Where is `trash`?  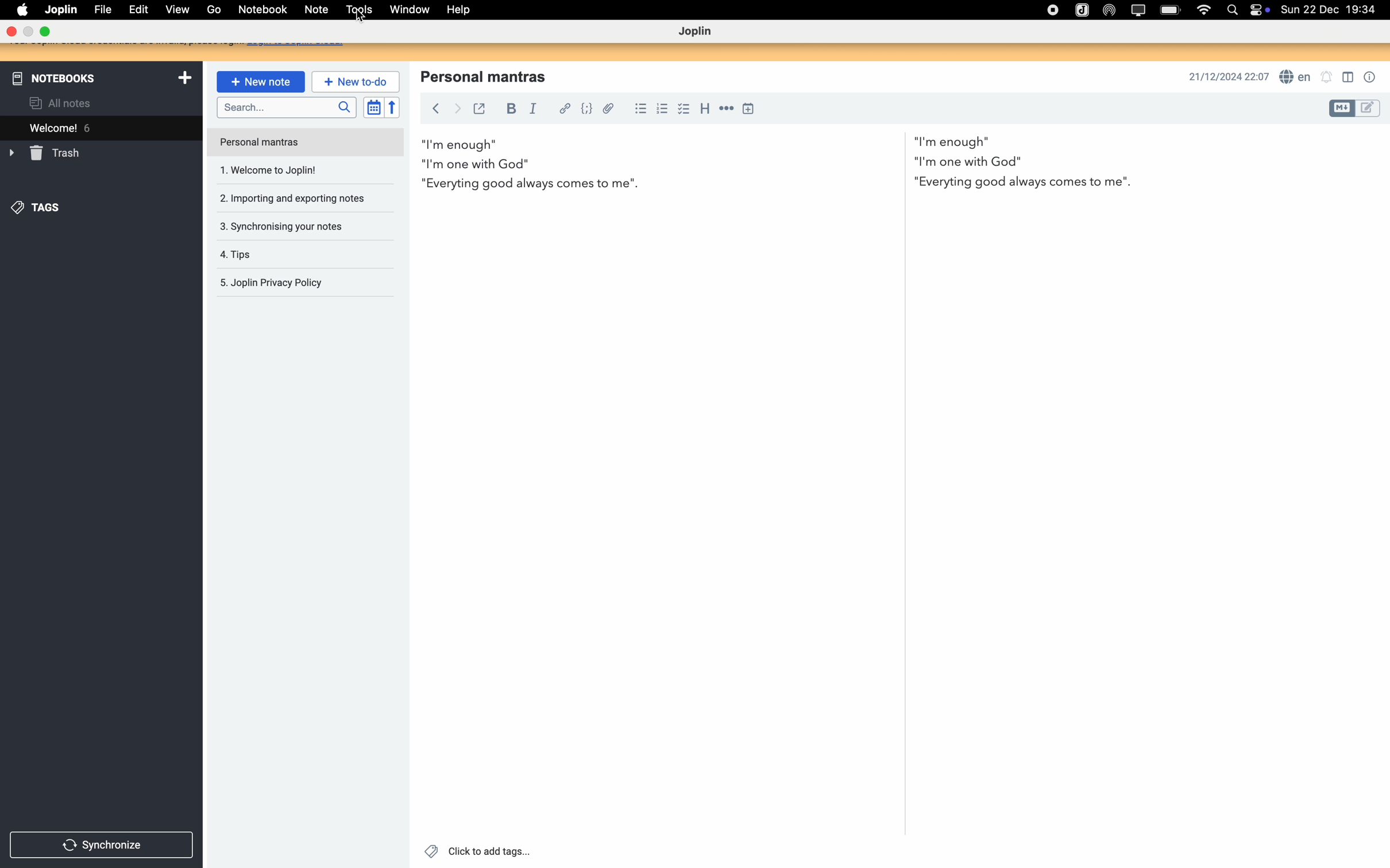
trash is located at coordinates (56, 154).